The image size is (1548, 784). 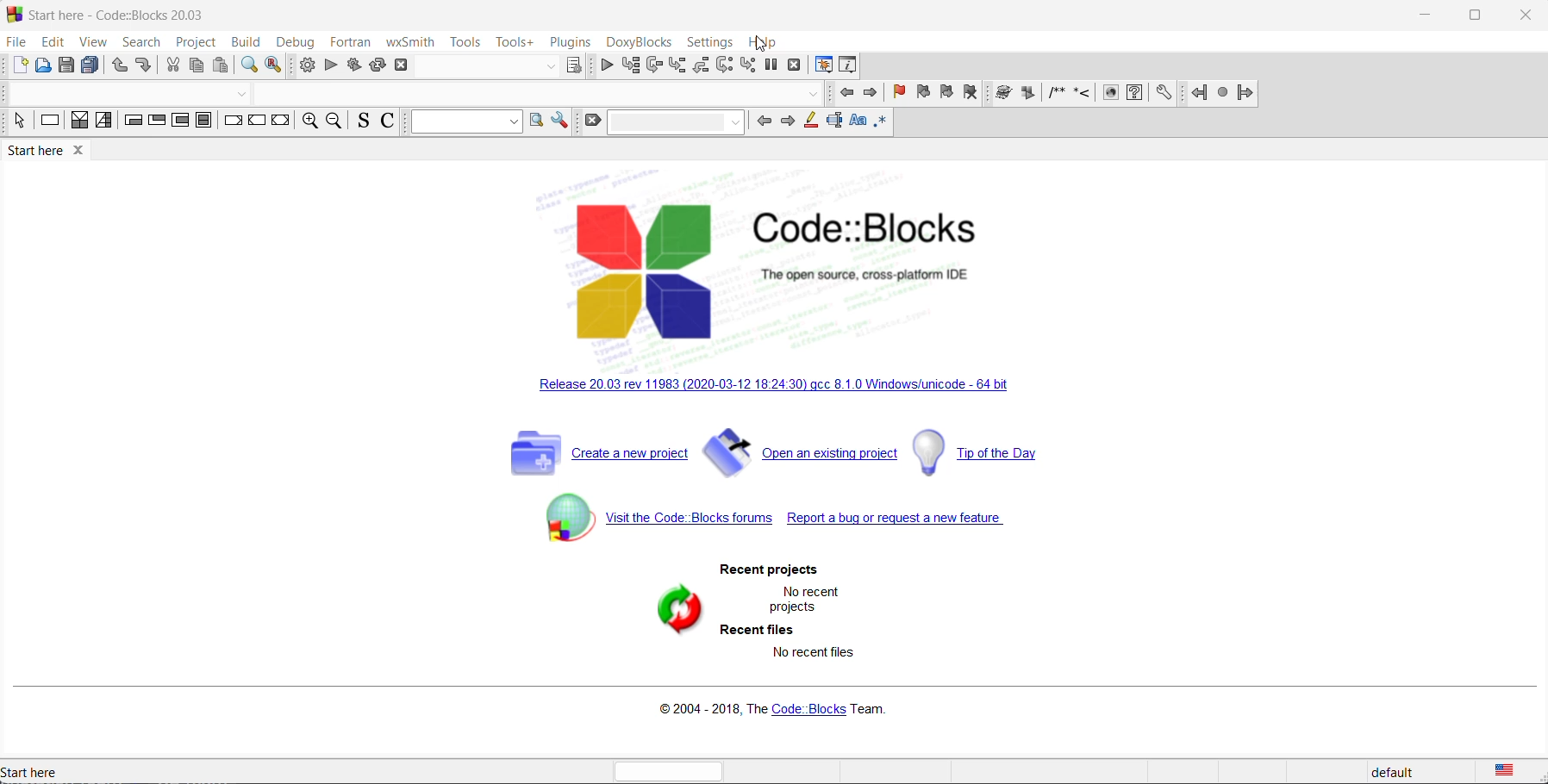 What do you see at coordinates (765, 570) in the screenshot?
I see `recent projects` at bounding box center [765, 570].